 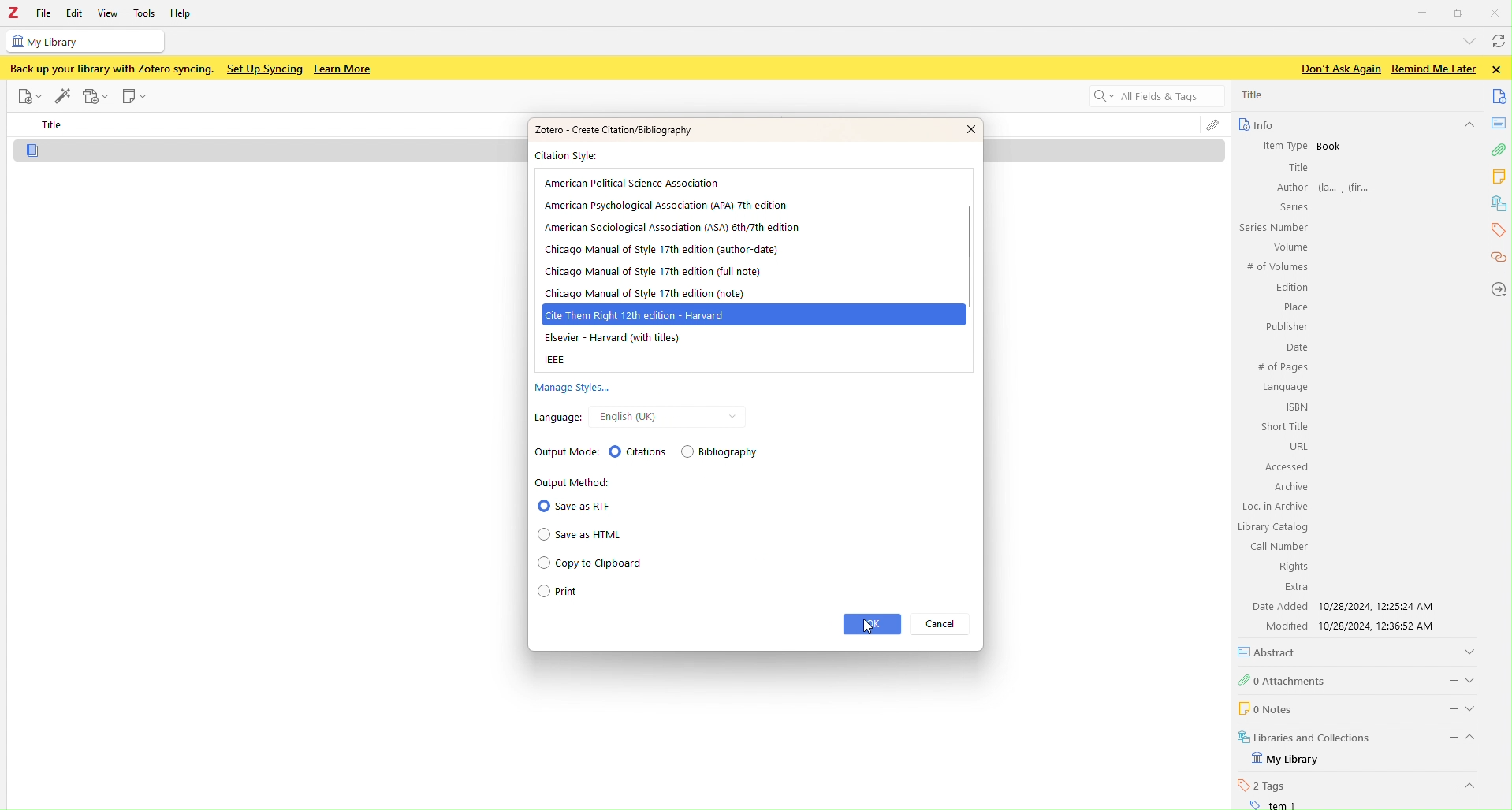 I want to click on Archive, so click(x=1289, y=486).